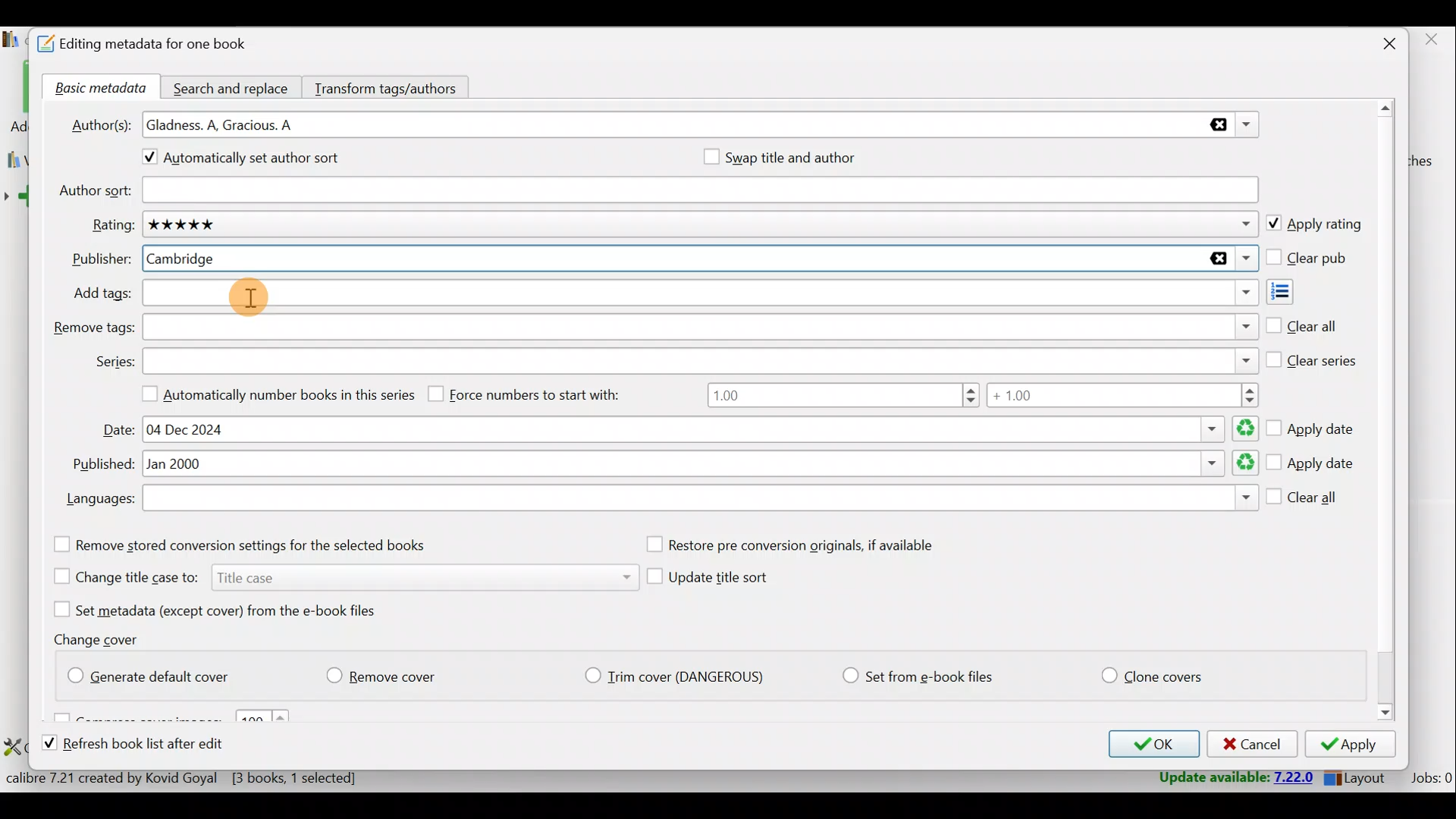 The image size is (1456, 819). I want to click on Basic metadata, so click(96, 89).